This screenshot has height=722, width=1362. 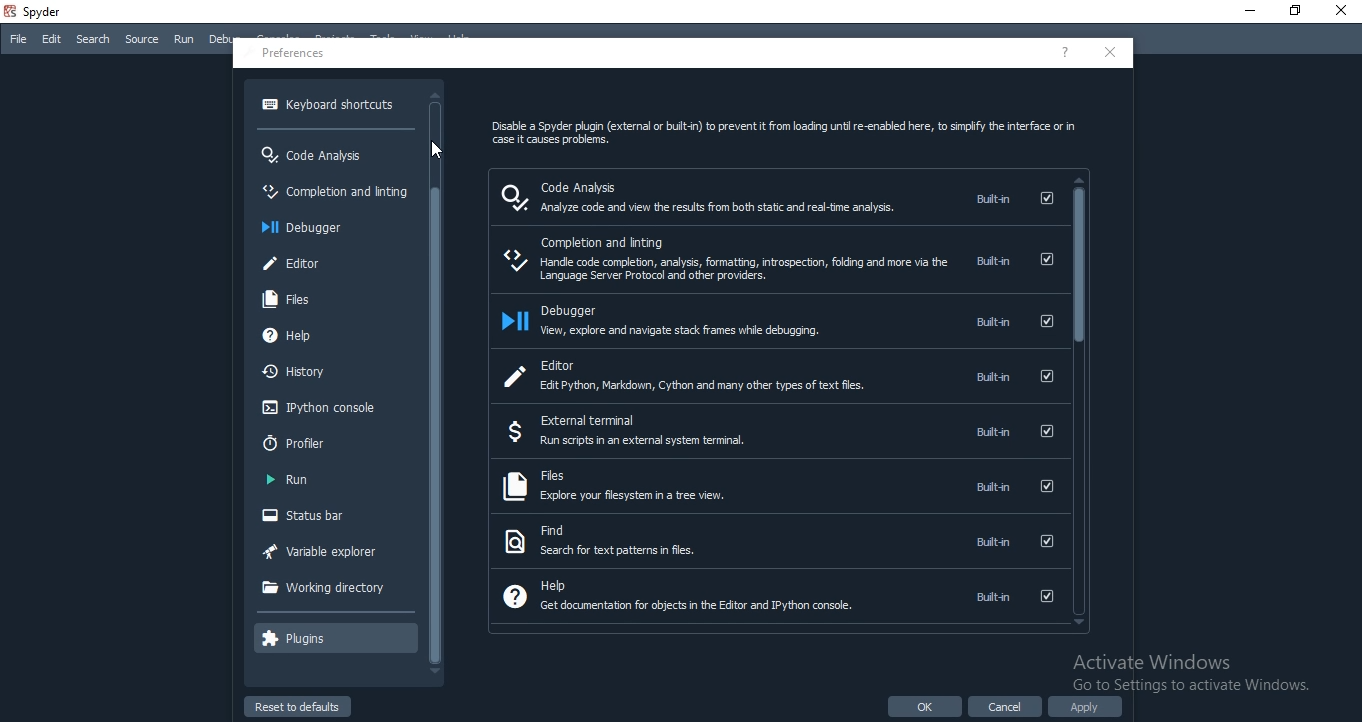 I want to click on SRS St TC eo
Language Server Protocol and other providers., so click(x=732, y=270).